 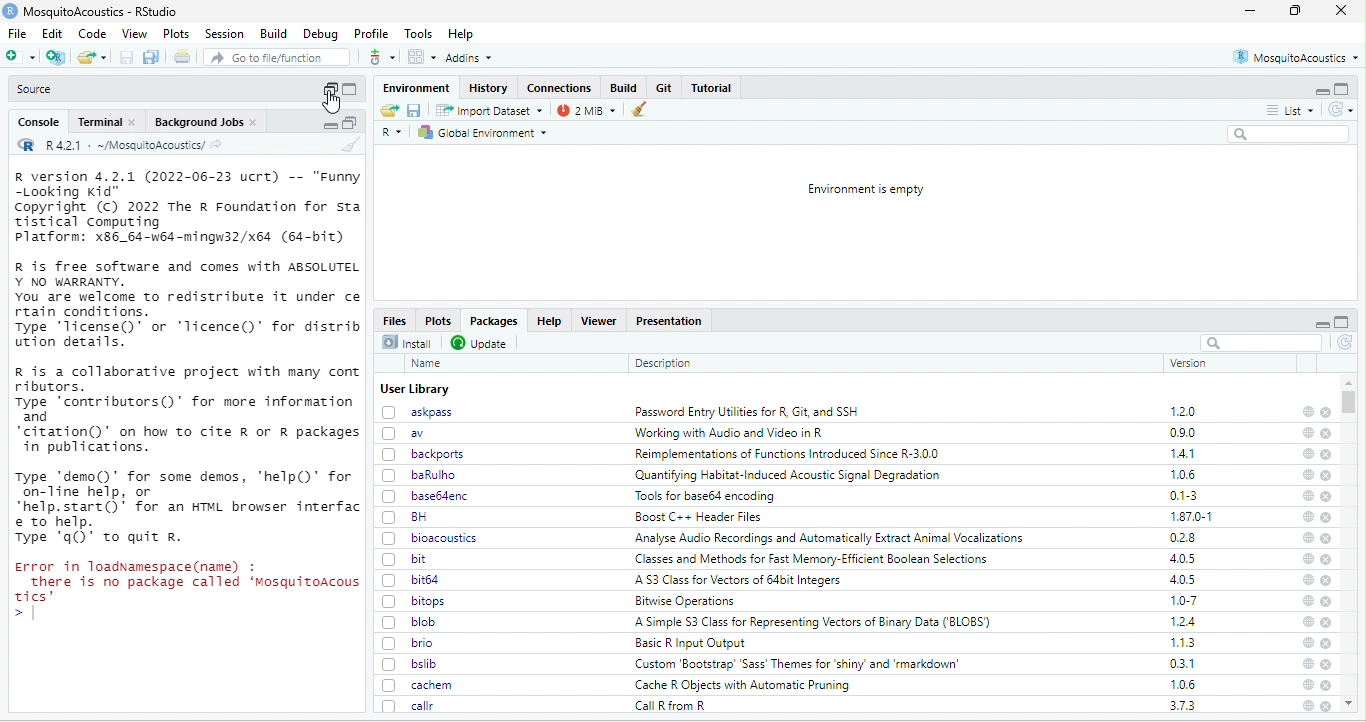 I want to click on Import Dataset, so click(x=490, y=110).